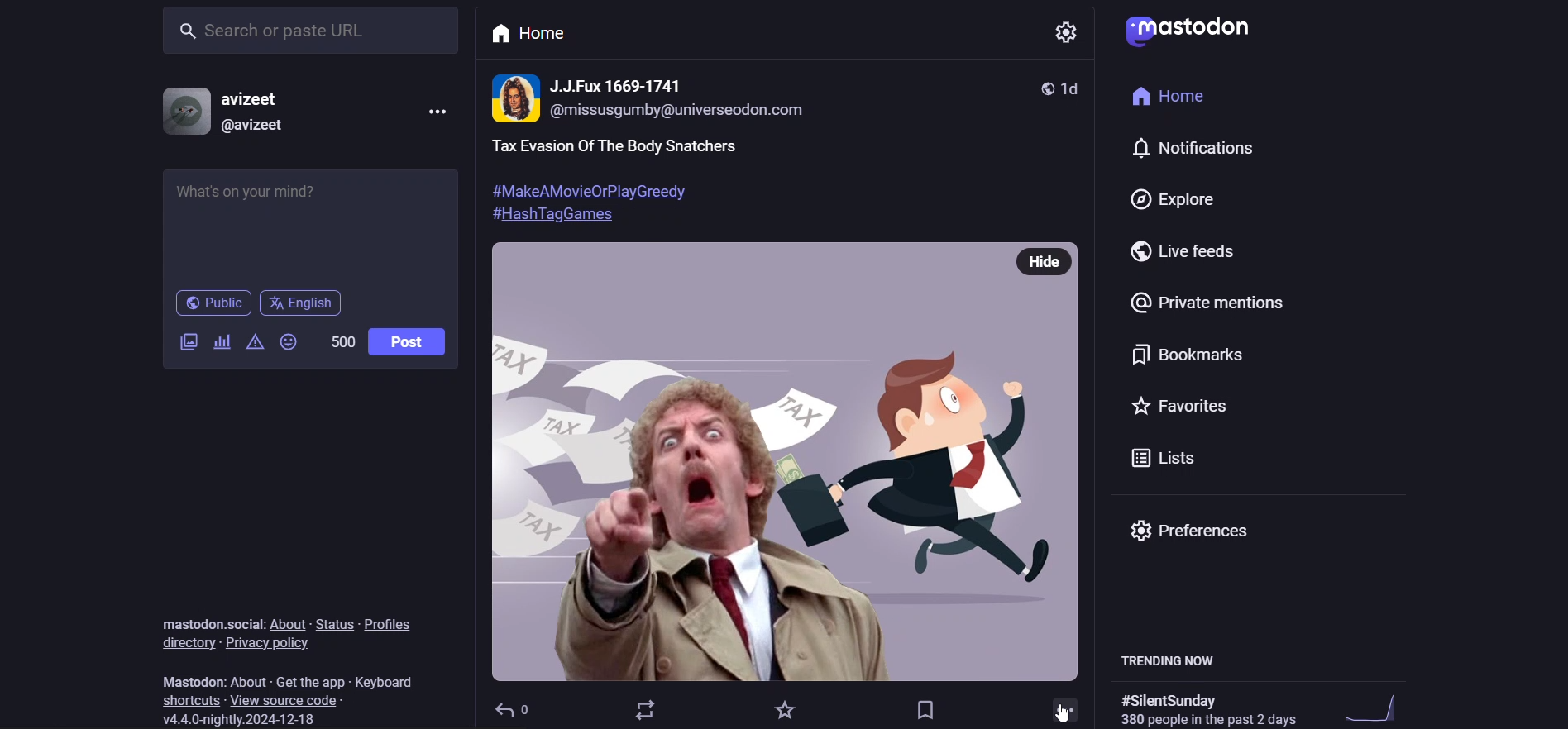 This screenshot has width=1568, height=729. I want to click on trending now, so click(1168, 657).